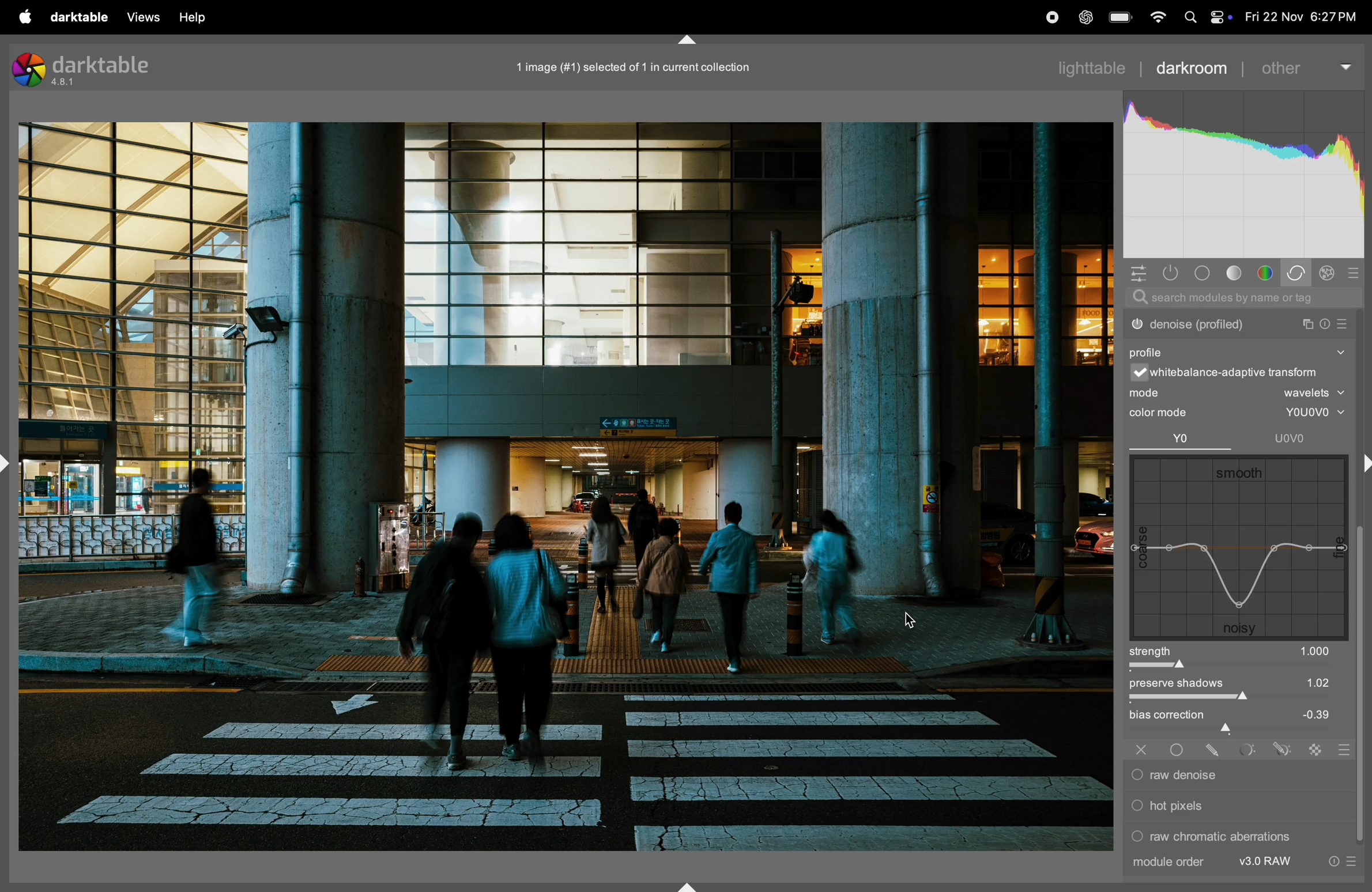 The image size is (1372, 892). What do you see at coordinates (1051, 16) in the screenshot?
I see `record` at bounding box center [1051, 16].